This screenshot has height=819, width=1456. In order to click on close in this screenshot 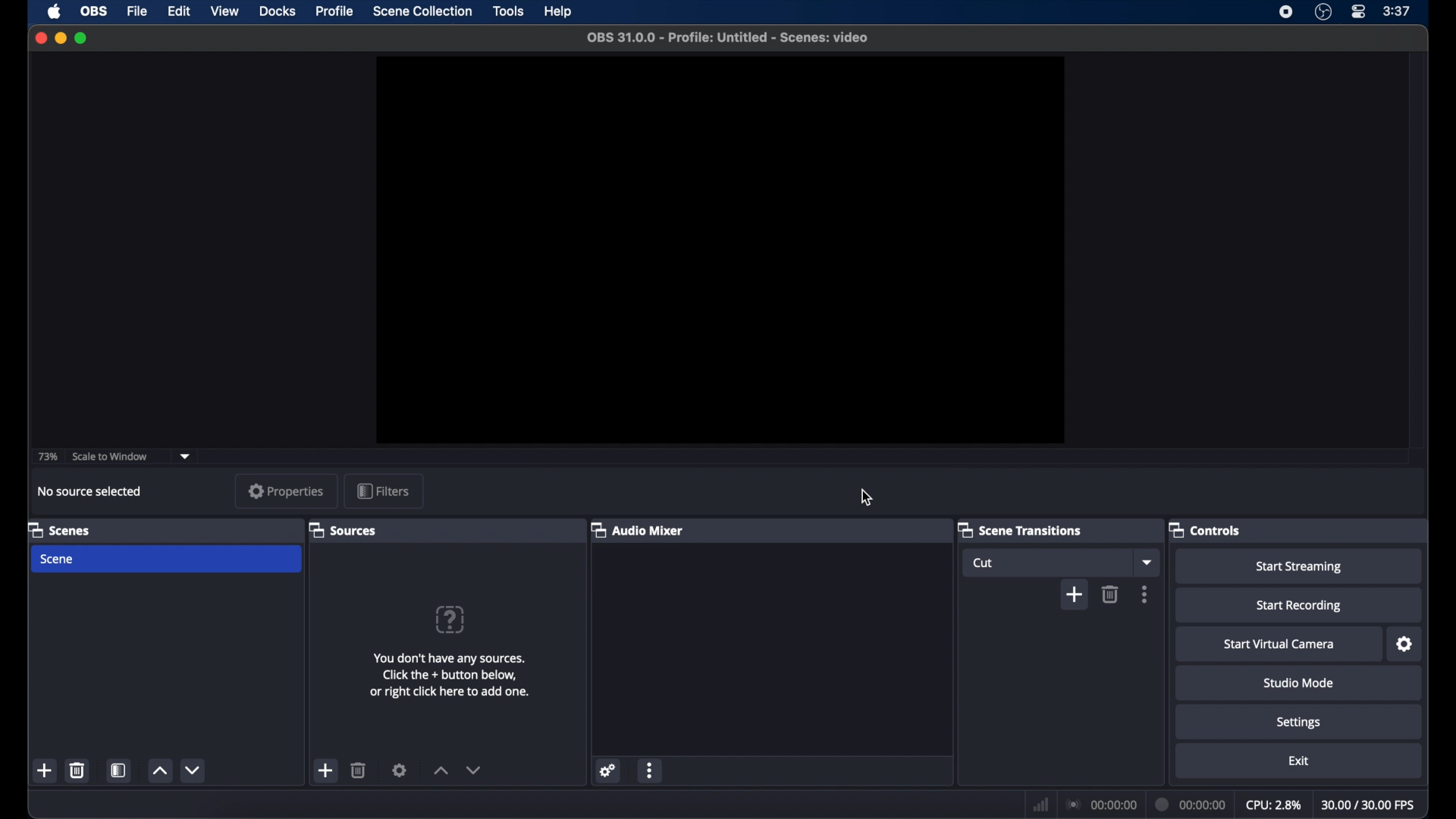, I will do `click(40, 38)`.